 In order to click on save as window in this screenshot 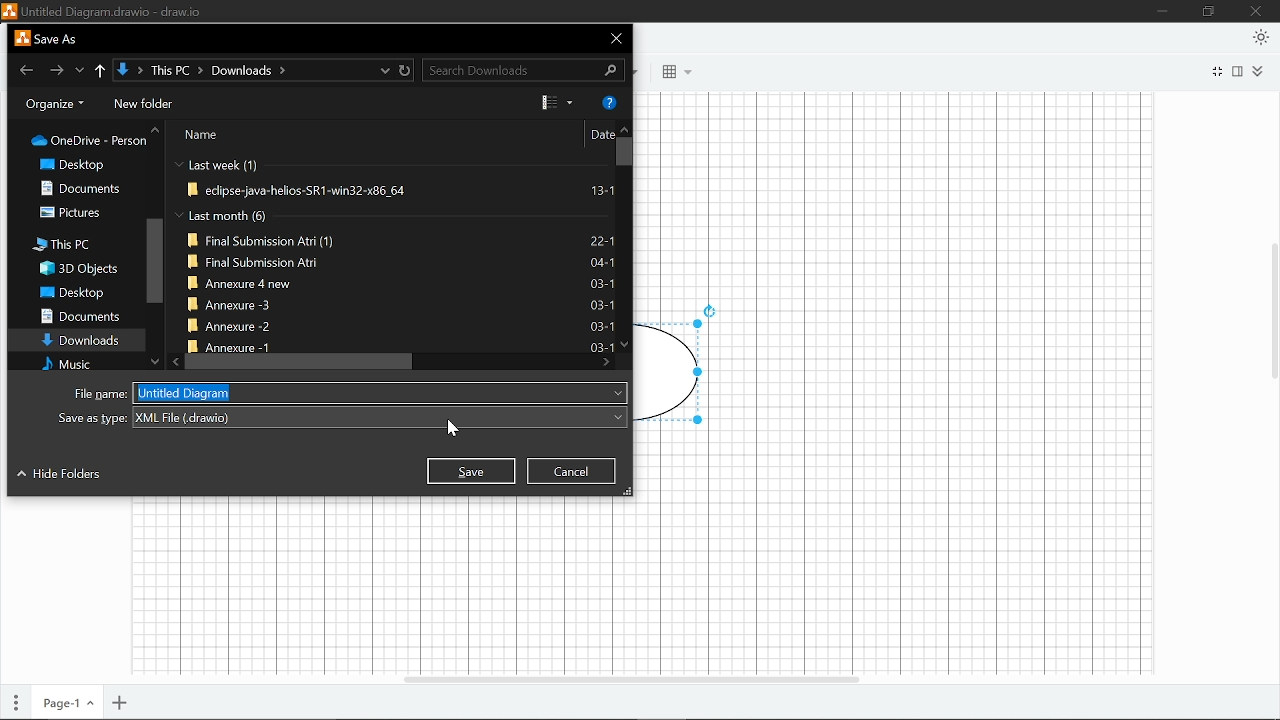, I will do `click(46, 38)`.